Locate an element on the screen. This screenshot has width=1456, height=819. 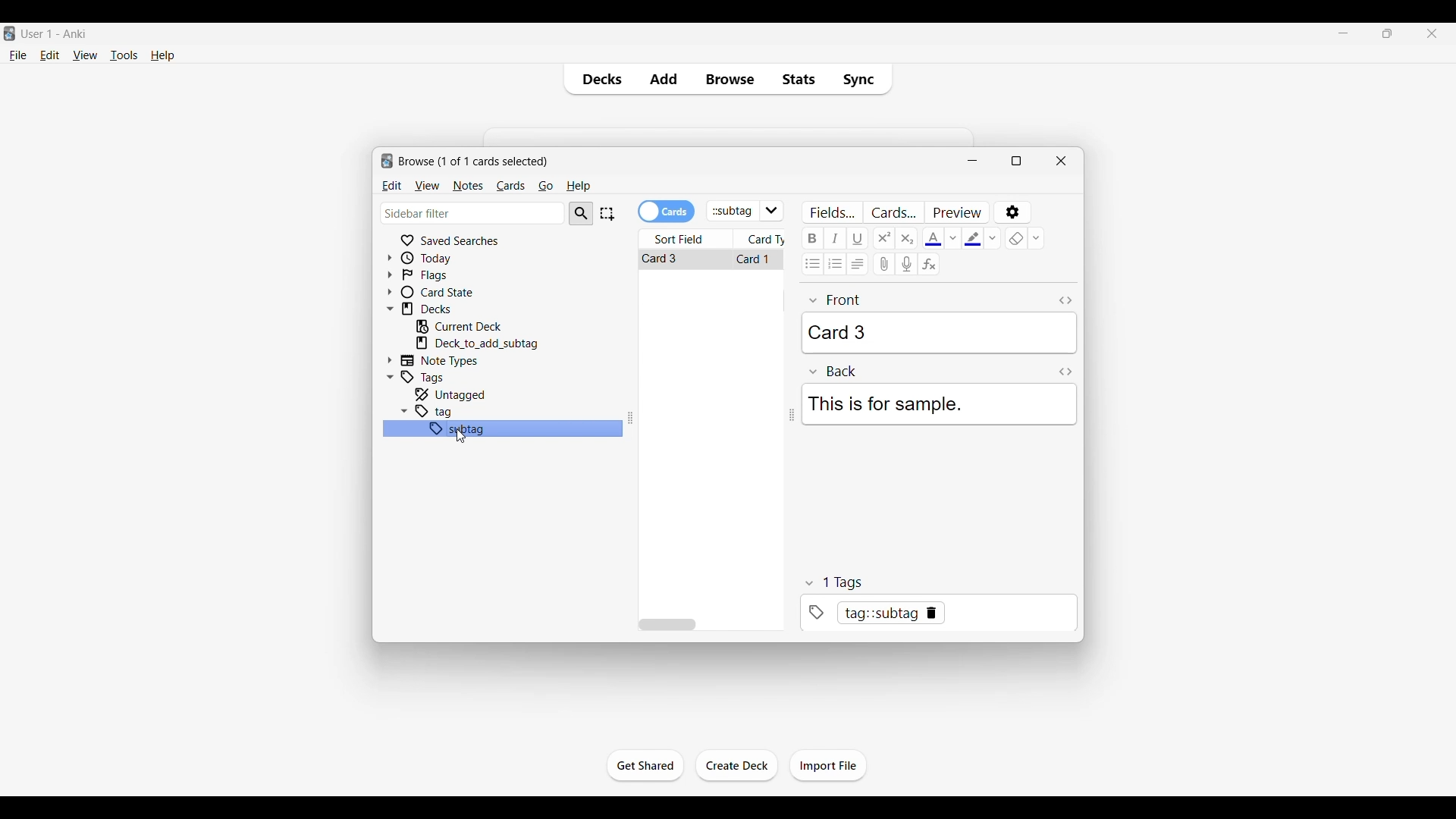
Card 1 is located at coordinates (755, 259).